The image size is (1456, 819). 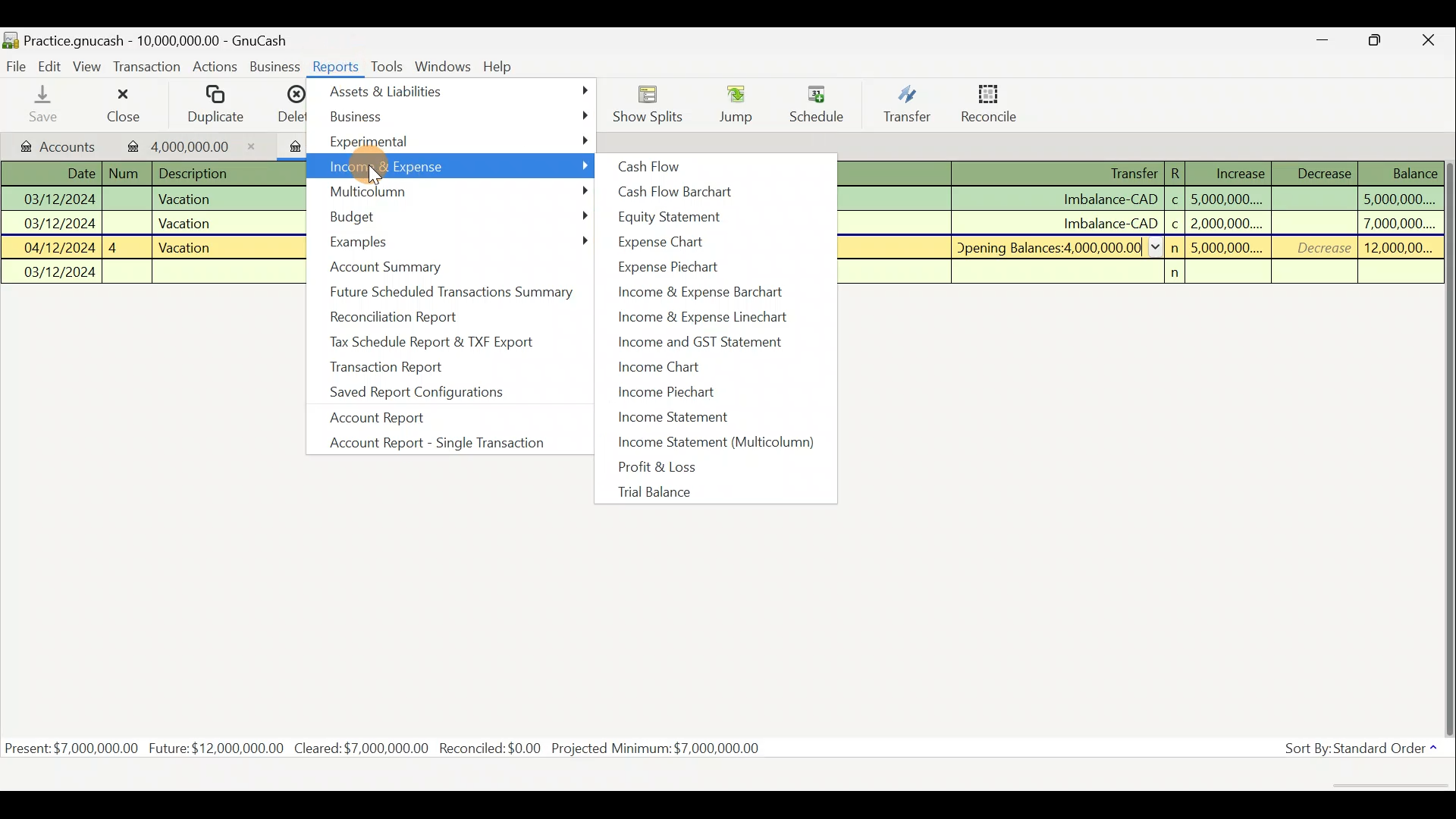 What do you see at coordinates (433, 343) in the screenshot?
I see `Tax schedule report & TXF export` at bounding box center [433, 343].